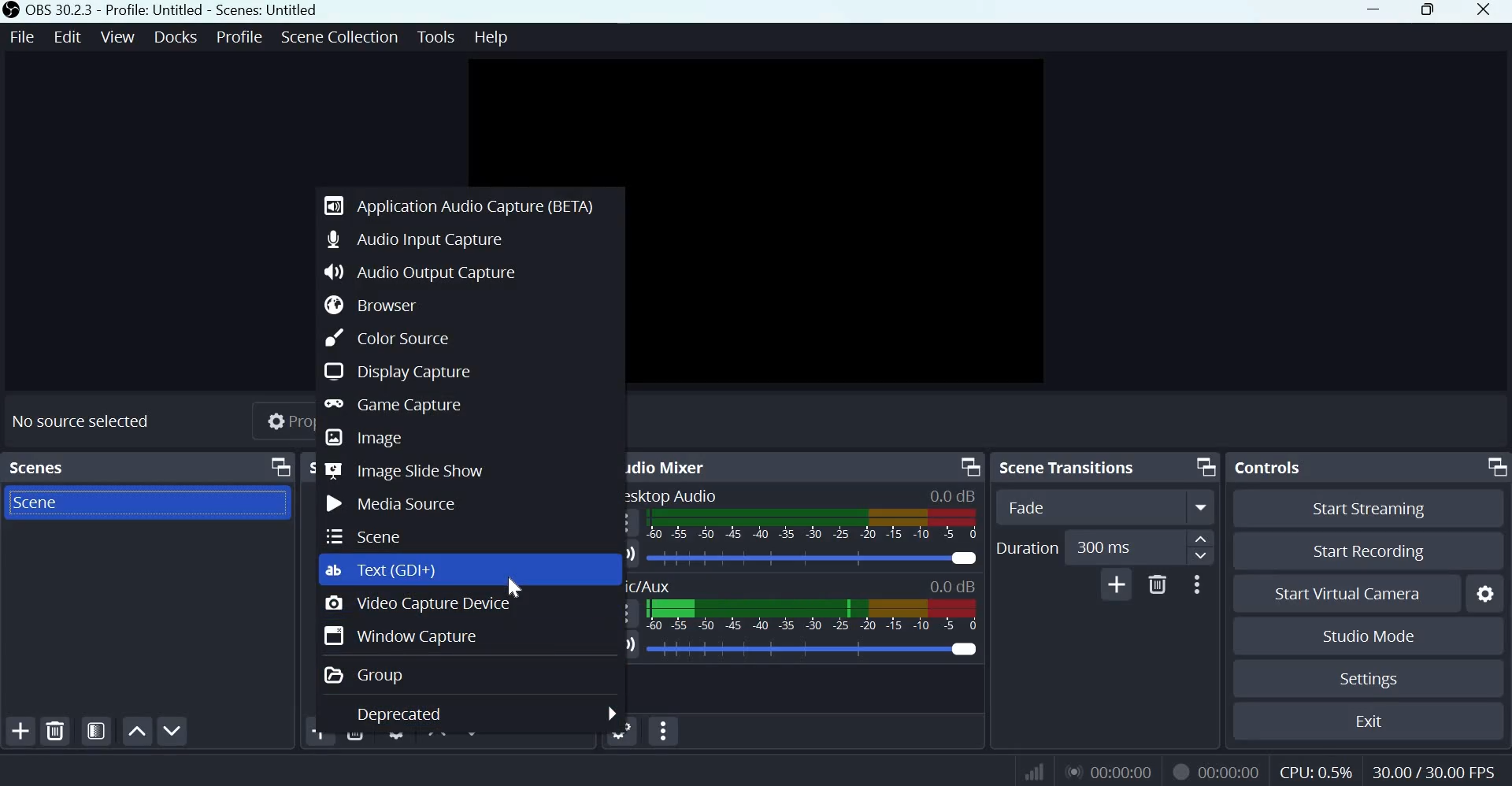 The width and height of the screenshot is (1512, 786). What do you see at coordinates (421, 272) in the screenshot?
I see `Audio Output Capture` at bounding box center [421, 272].